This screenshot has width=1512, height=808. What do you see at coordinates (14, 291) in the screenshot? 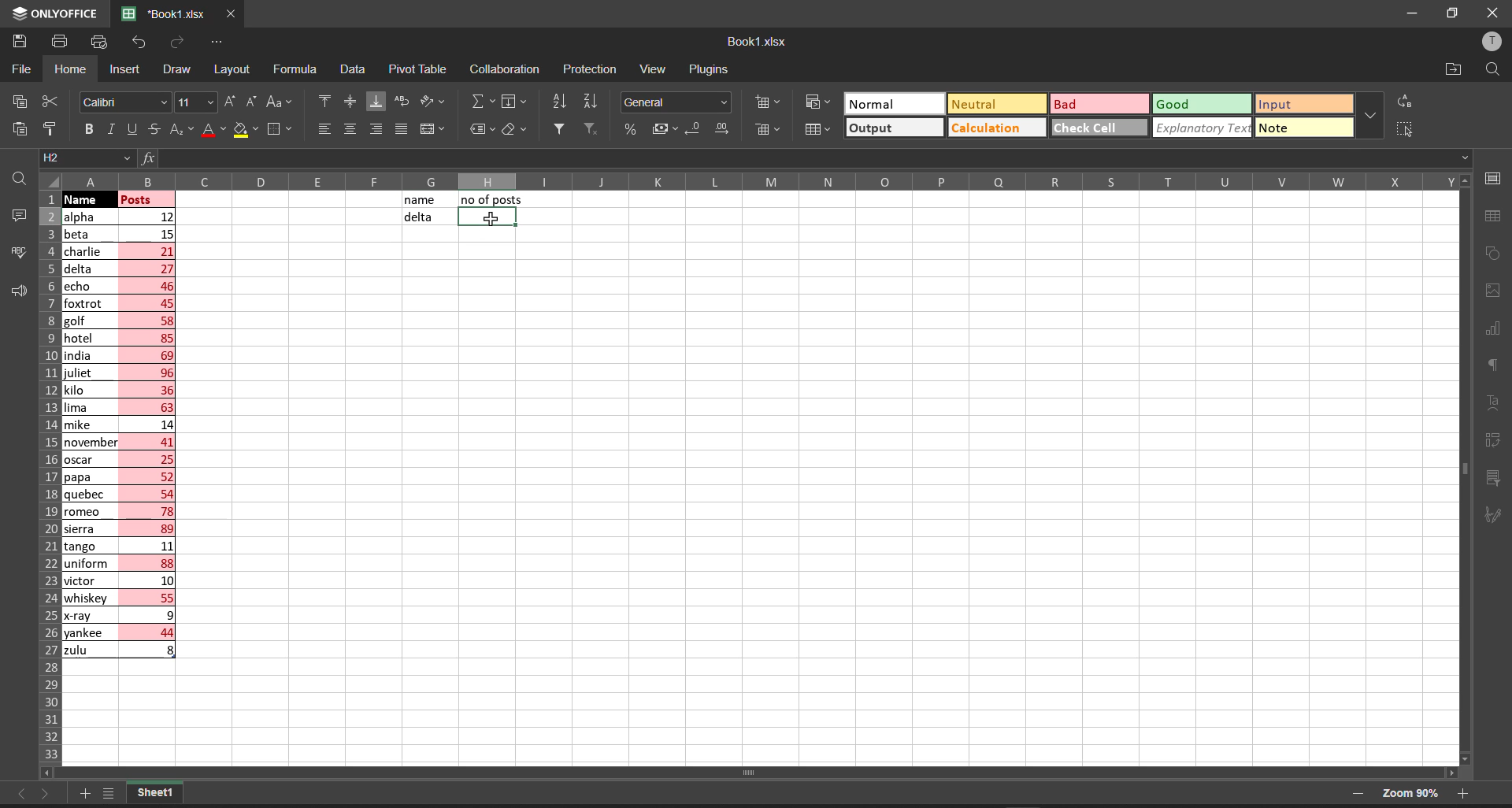
I see `feedback and support` at bounding box center [14, 291].